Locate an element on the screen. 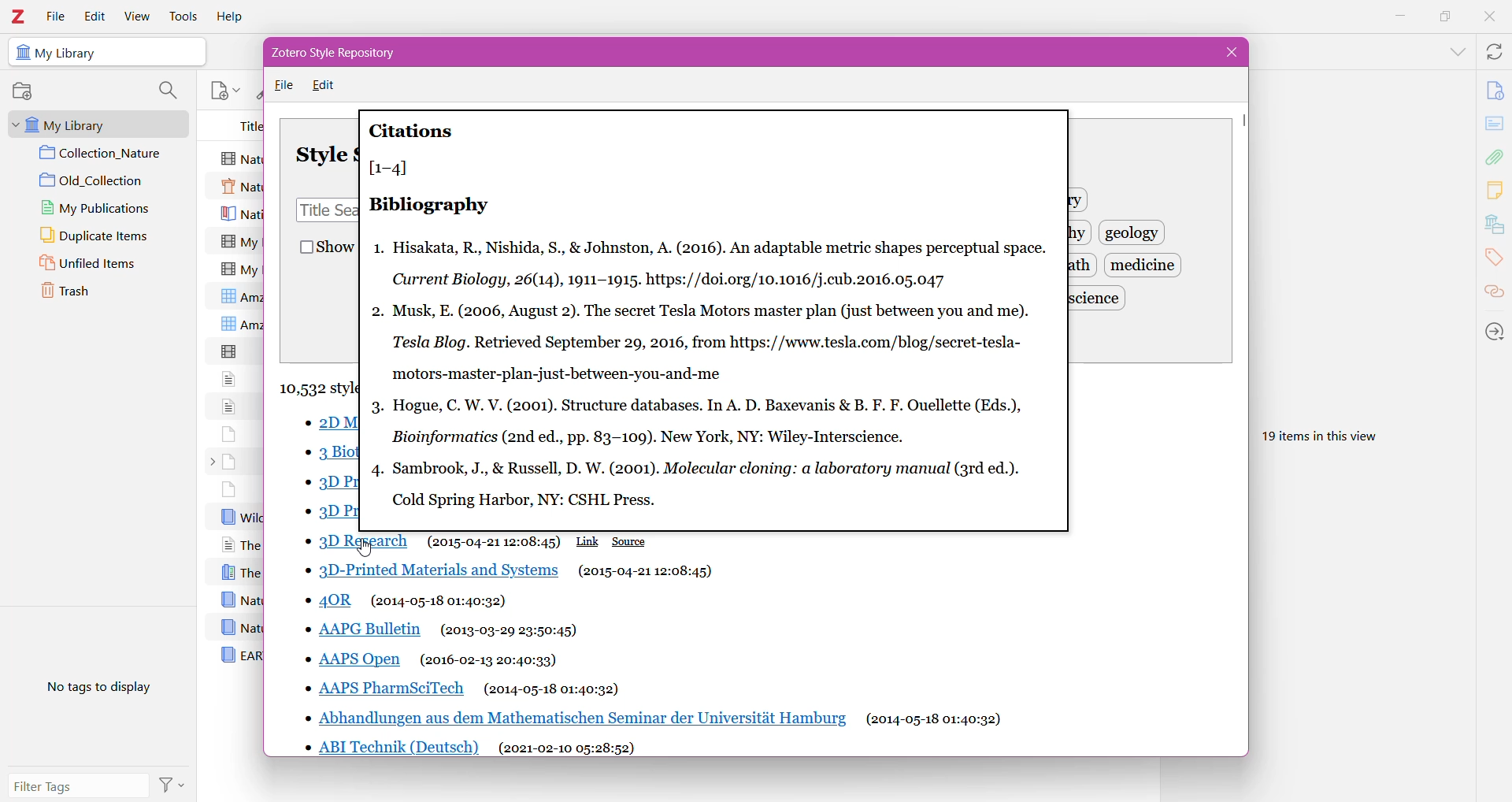  Filter Collections is located at coordinates (167, 91).